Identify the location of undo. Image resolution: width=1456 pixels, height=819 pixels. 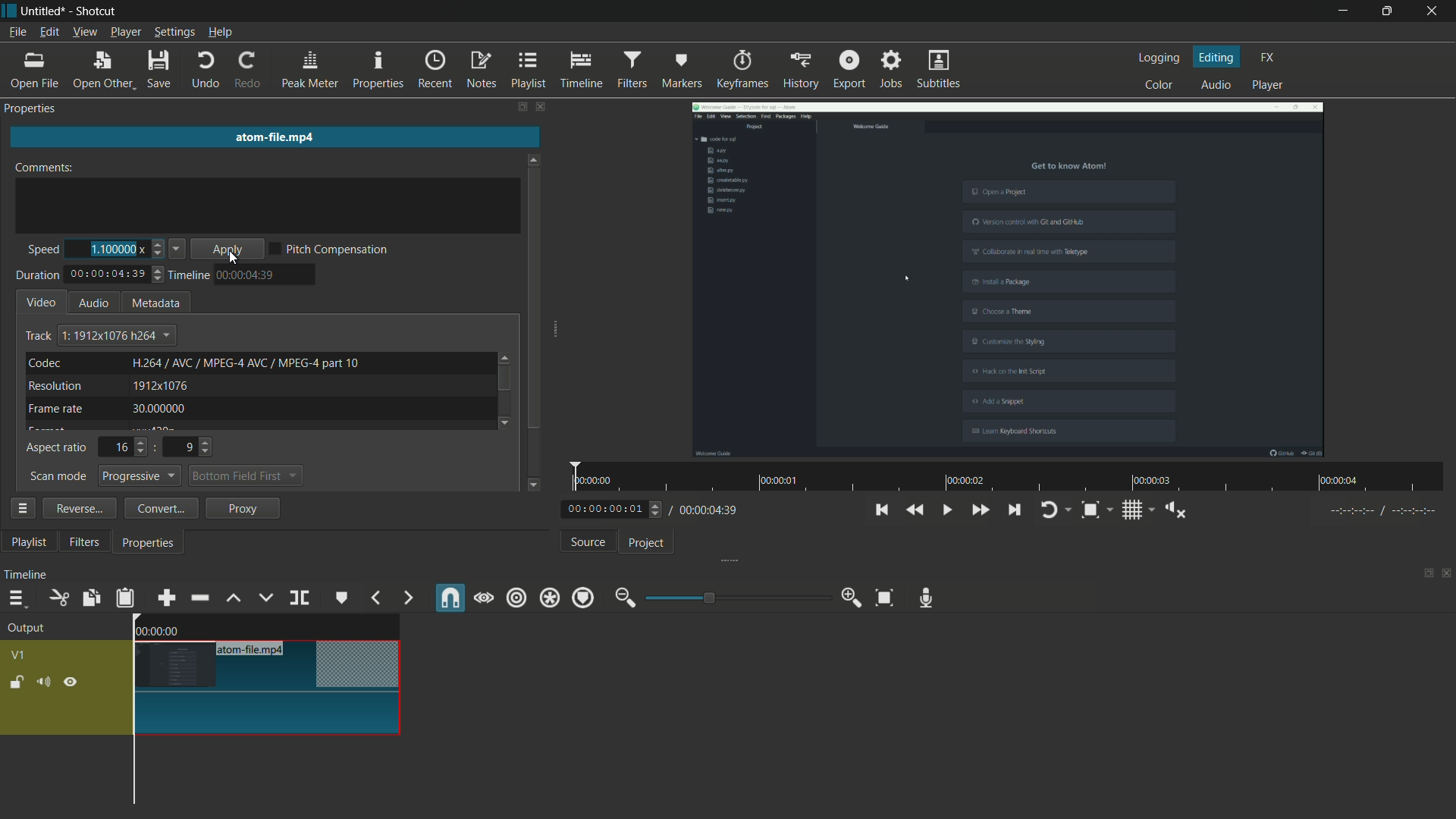
(203, 71).